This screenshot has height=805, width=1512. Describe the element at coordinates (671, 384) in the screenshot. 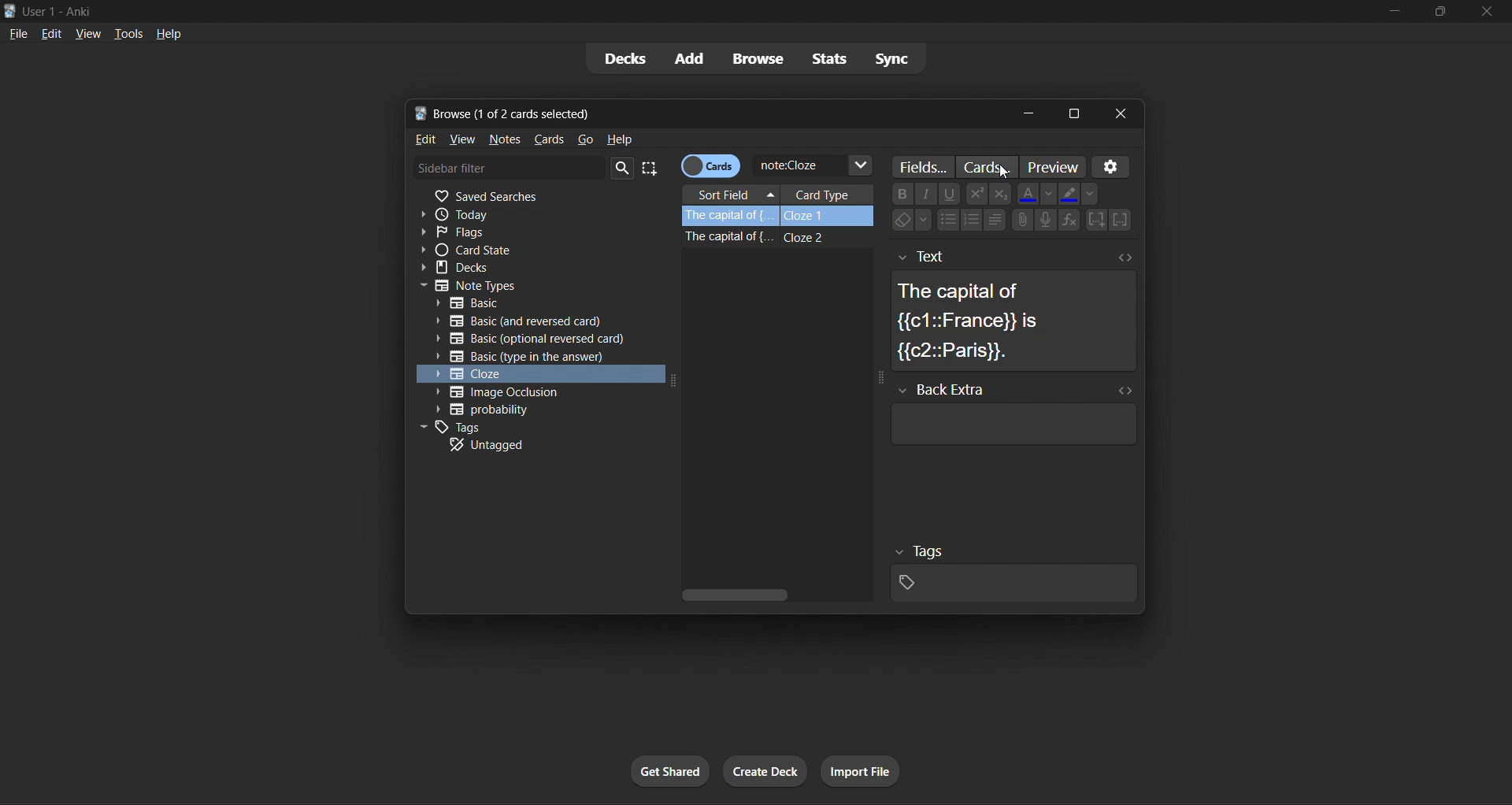

I see `expand icon` at that location.